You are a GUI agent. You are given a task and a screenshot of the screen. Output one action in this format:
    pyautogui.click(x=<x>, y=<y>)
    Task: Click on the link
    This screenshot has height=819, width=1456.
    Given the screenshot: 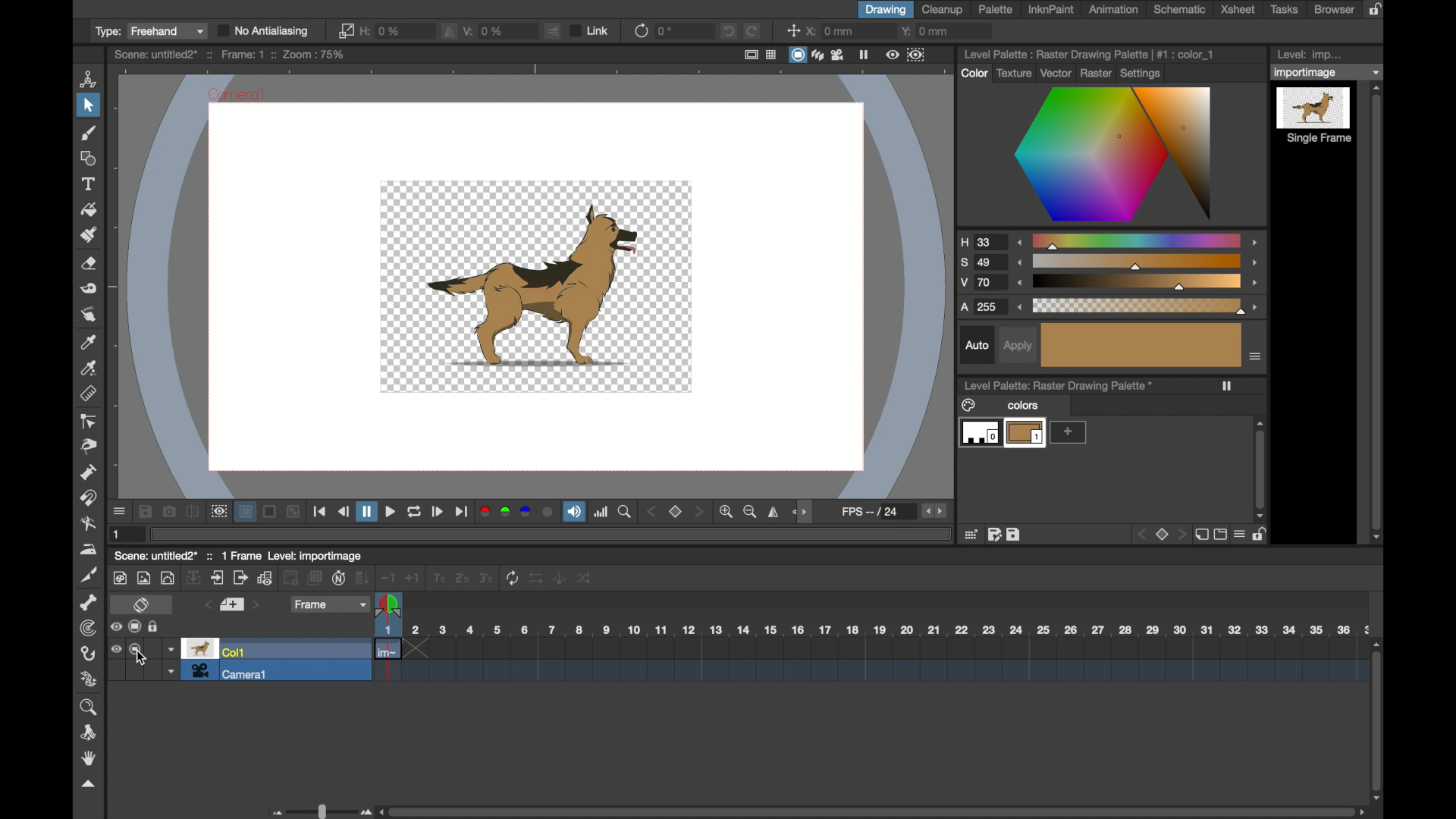 What is the action you would take?
    pyautogui.click(x=345, y=30)
    